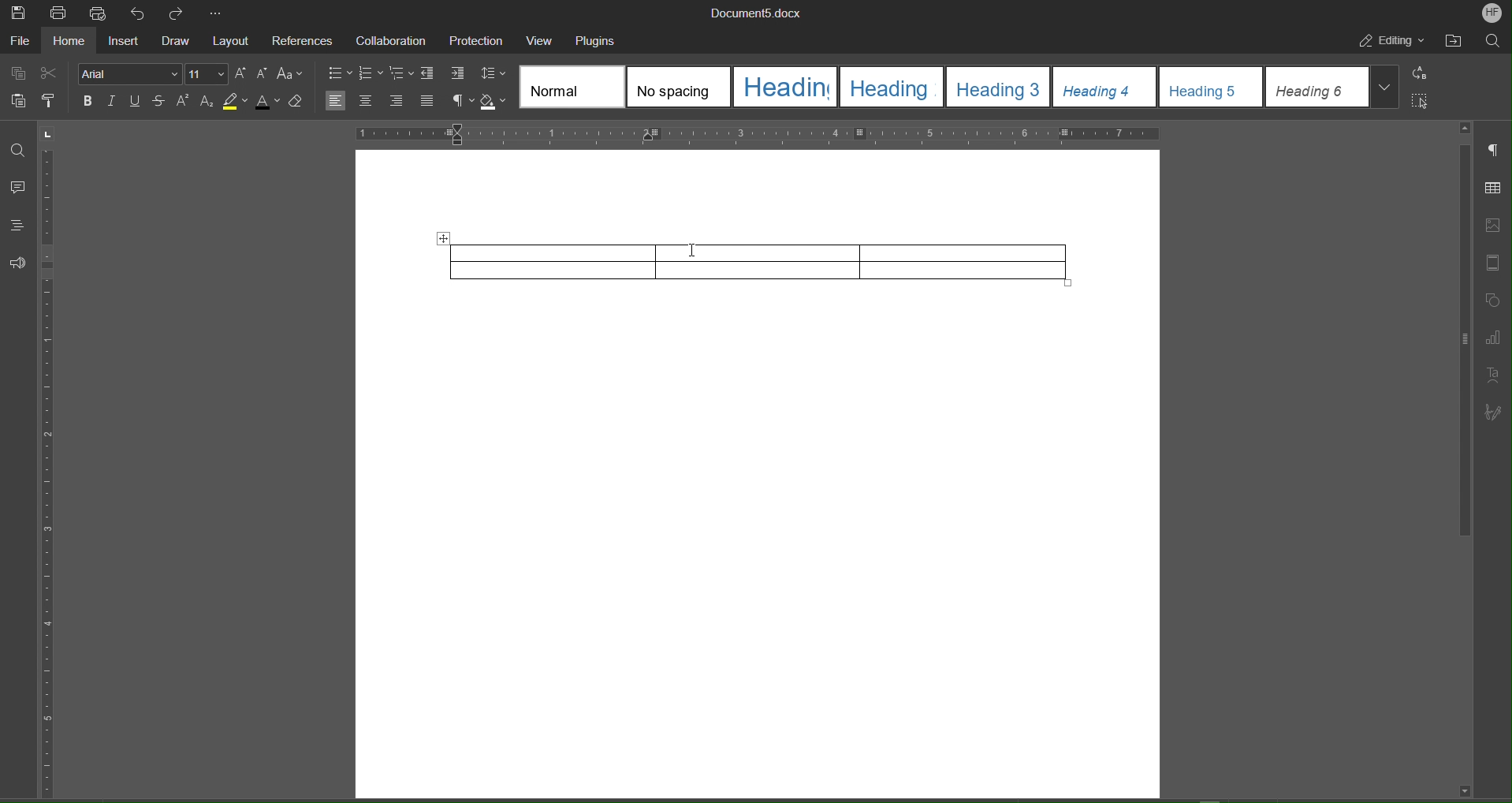 The width and height of the screenshot is (1512, 803). I want to click on Erase Style, so click(298, 101).